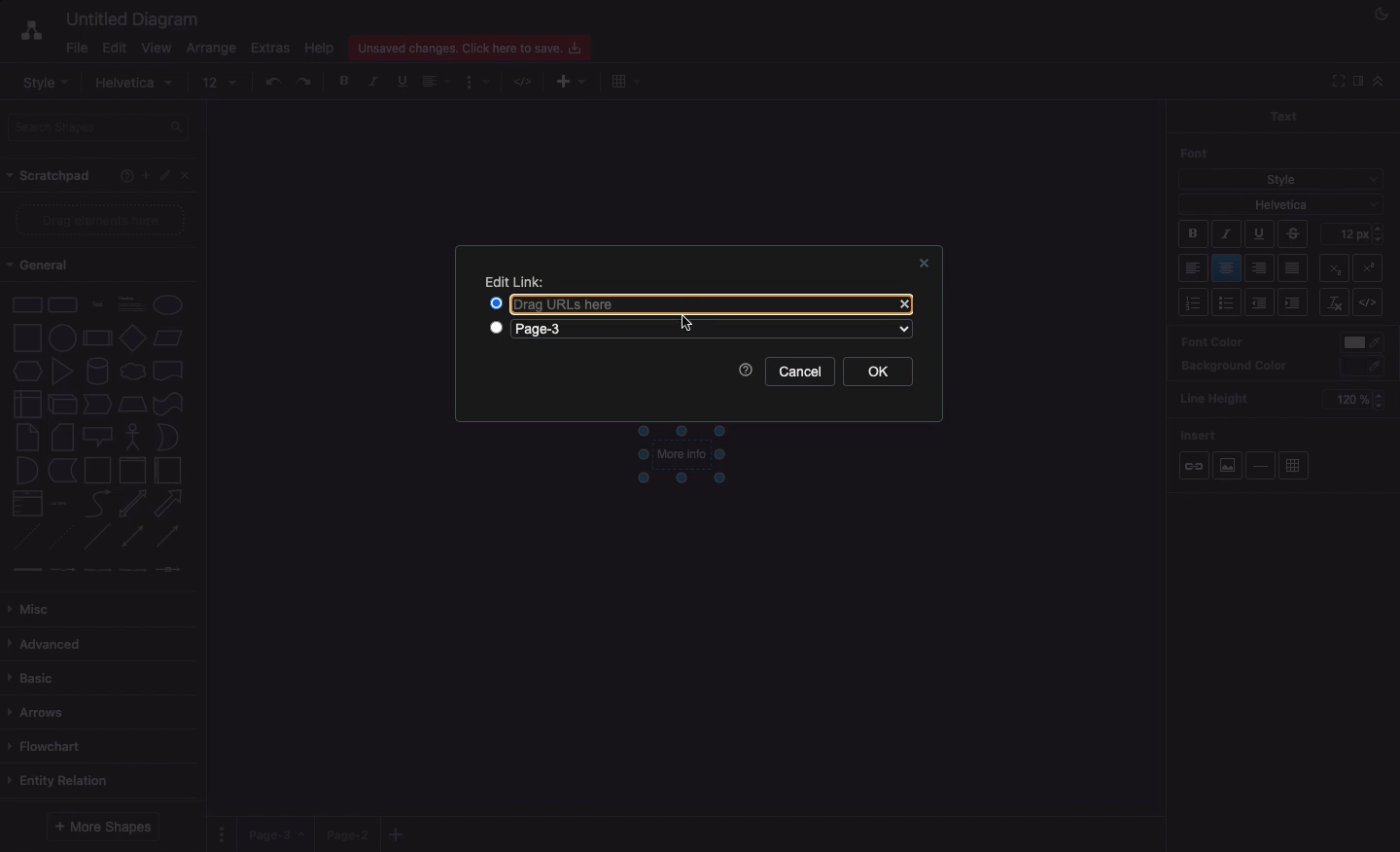 This screenshot has height=852, width=1400. What do you see at coordinates (40, 714) in the screenshot?
I see `Arrows` at bounding box center [40, 714].